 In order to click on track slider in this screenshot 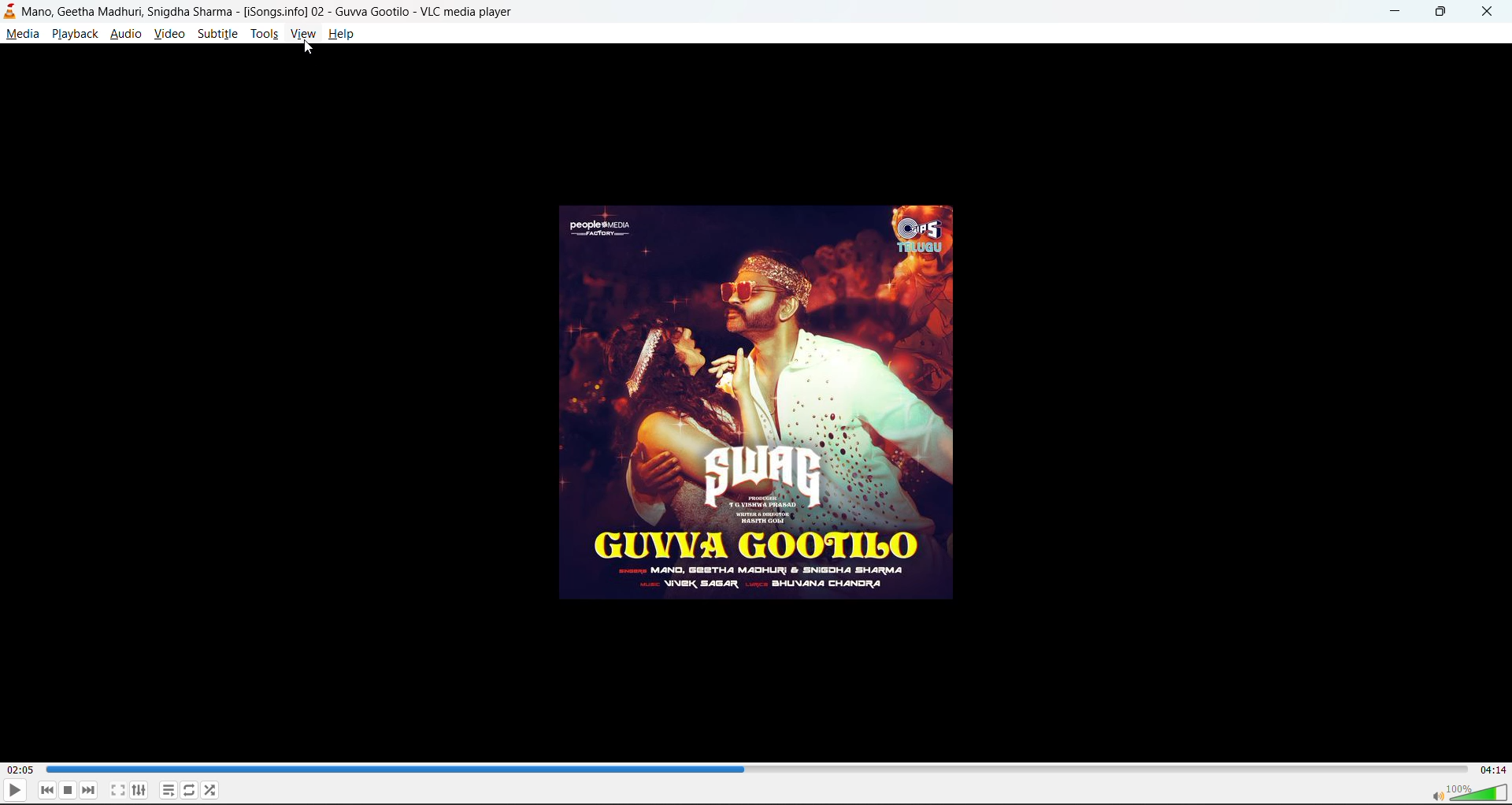, I will do `click(754, 768)`.